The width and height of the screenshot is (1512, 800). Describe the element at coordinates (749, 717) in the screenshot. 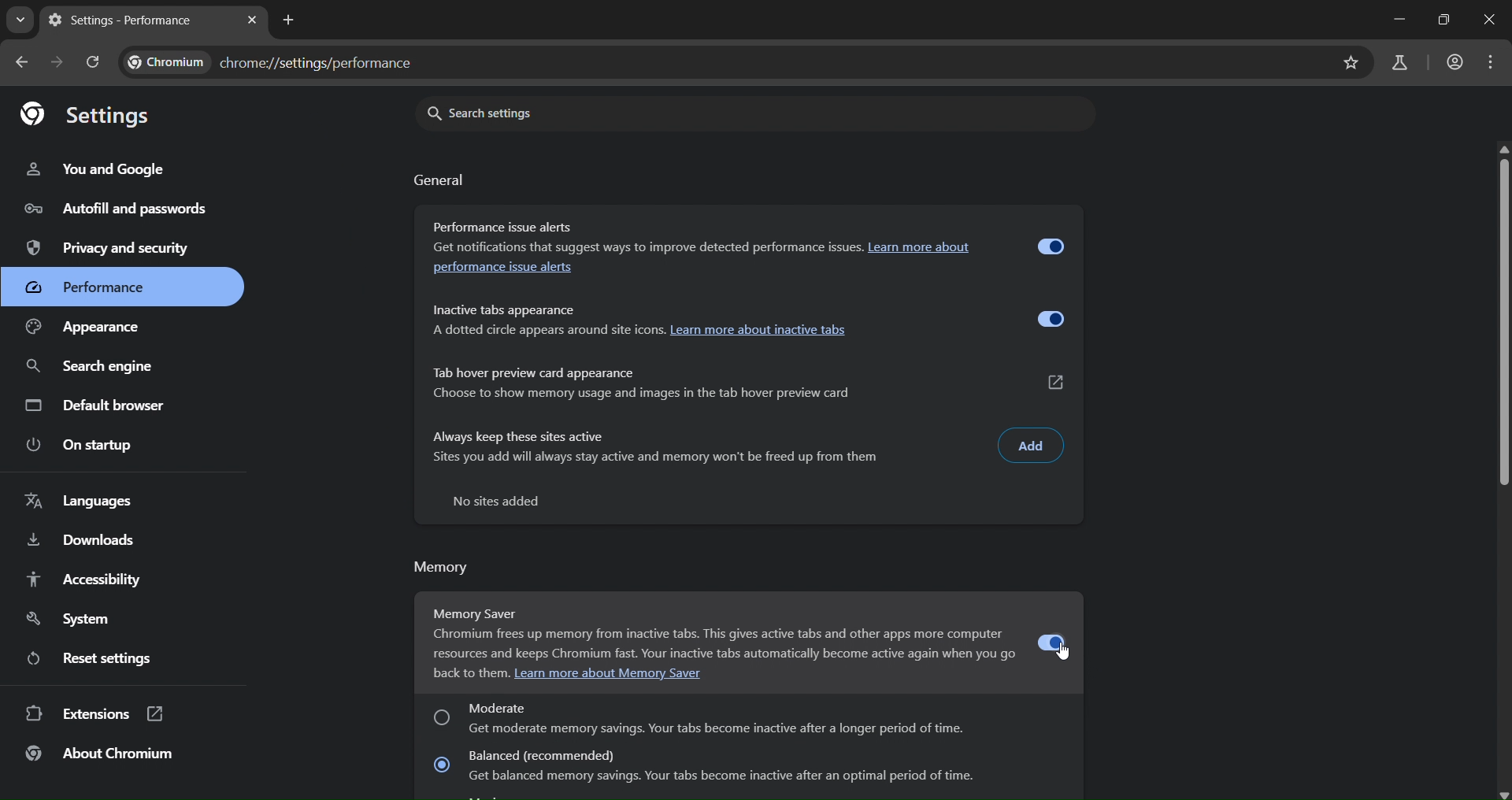

I see `Moderate` at that location.